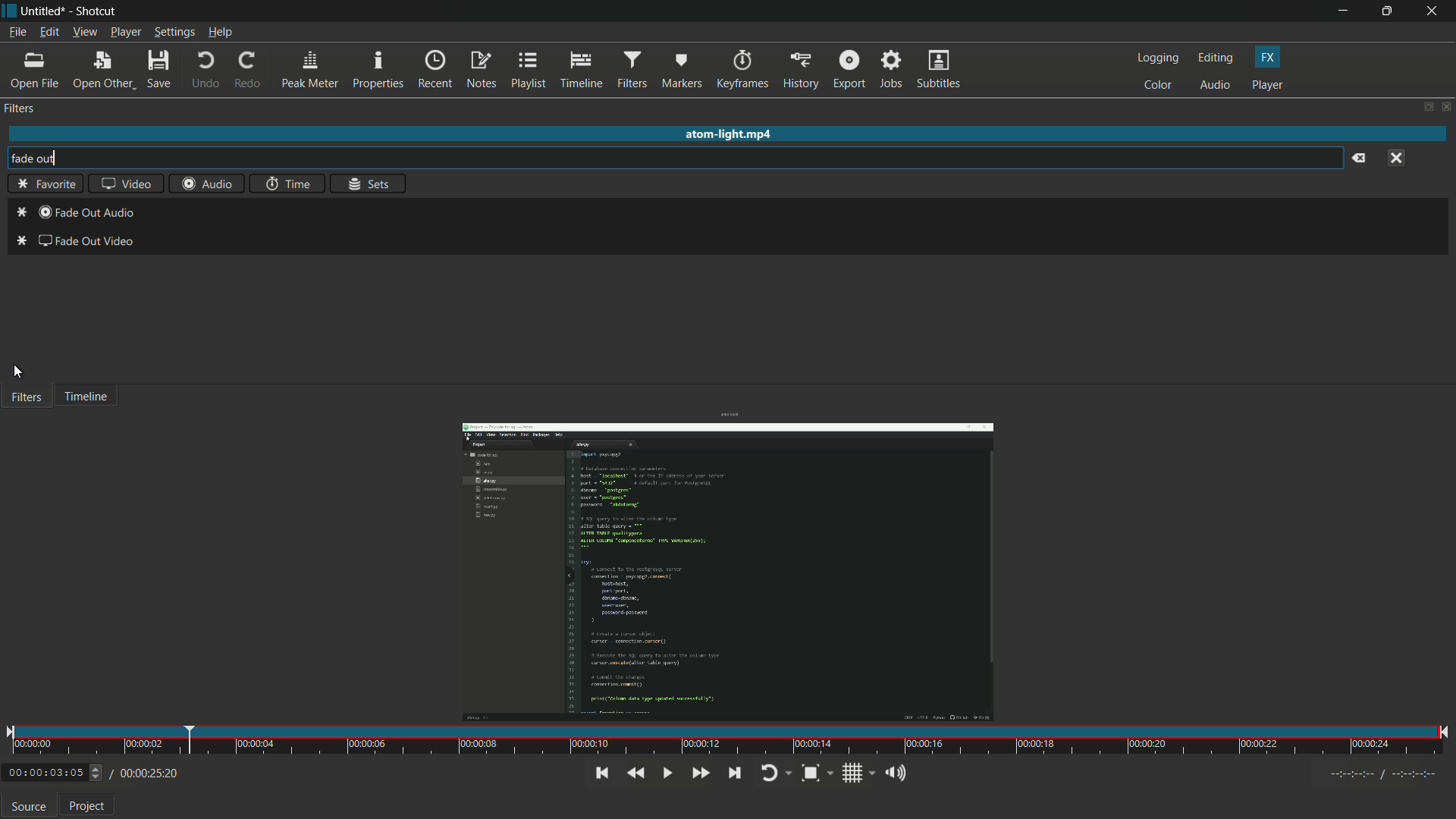 This screenshot has width=1456, height=819. What do you see at coordinates (249, 71) in the screenshot?
I see `redo` at bounding box center [249, 71].